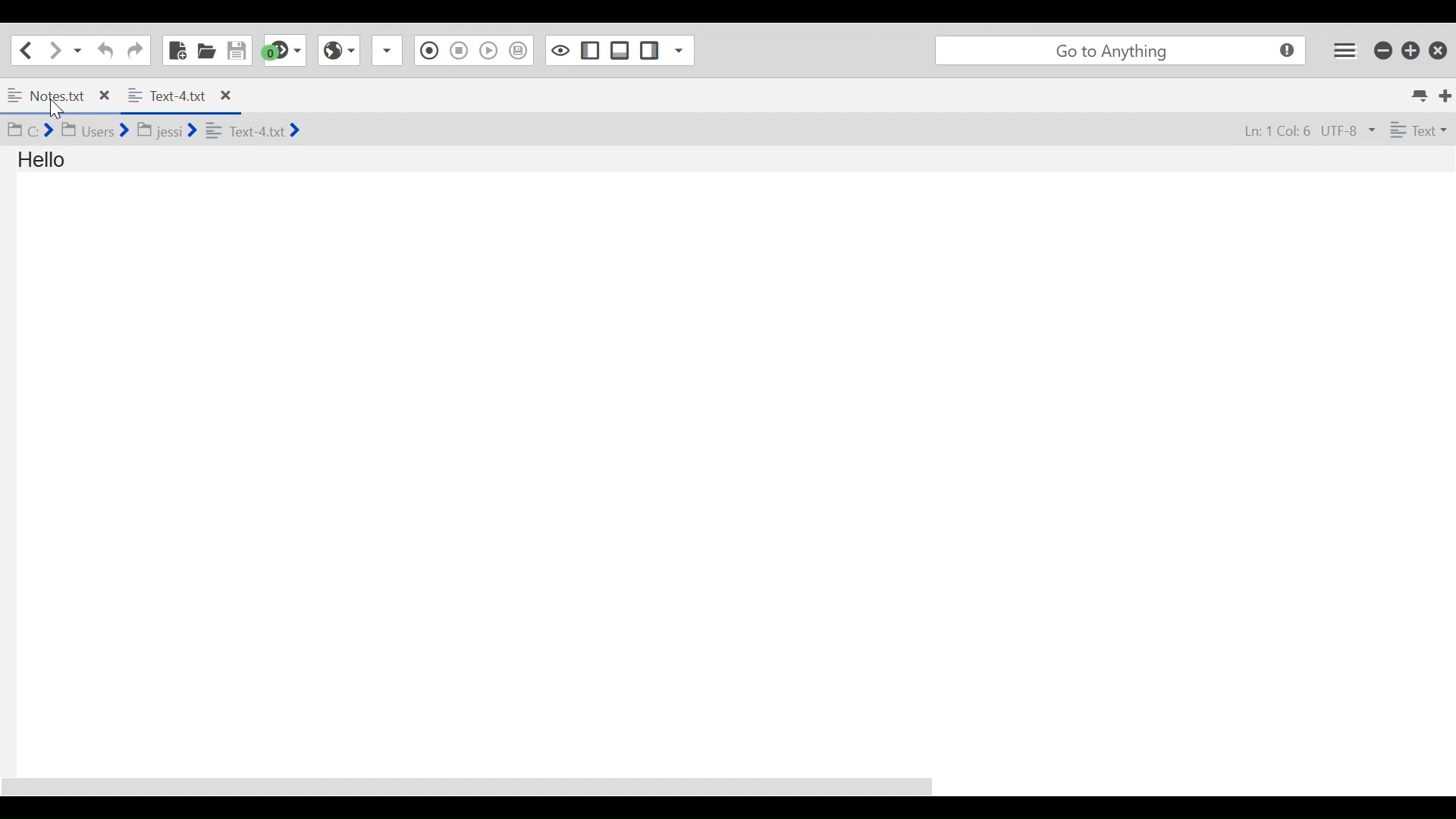 Image resolution: width=1456 pixels, height=819 pixels. I want to click on New Tab, so click(1445, 93).